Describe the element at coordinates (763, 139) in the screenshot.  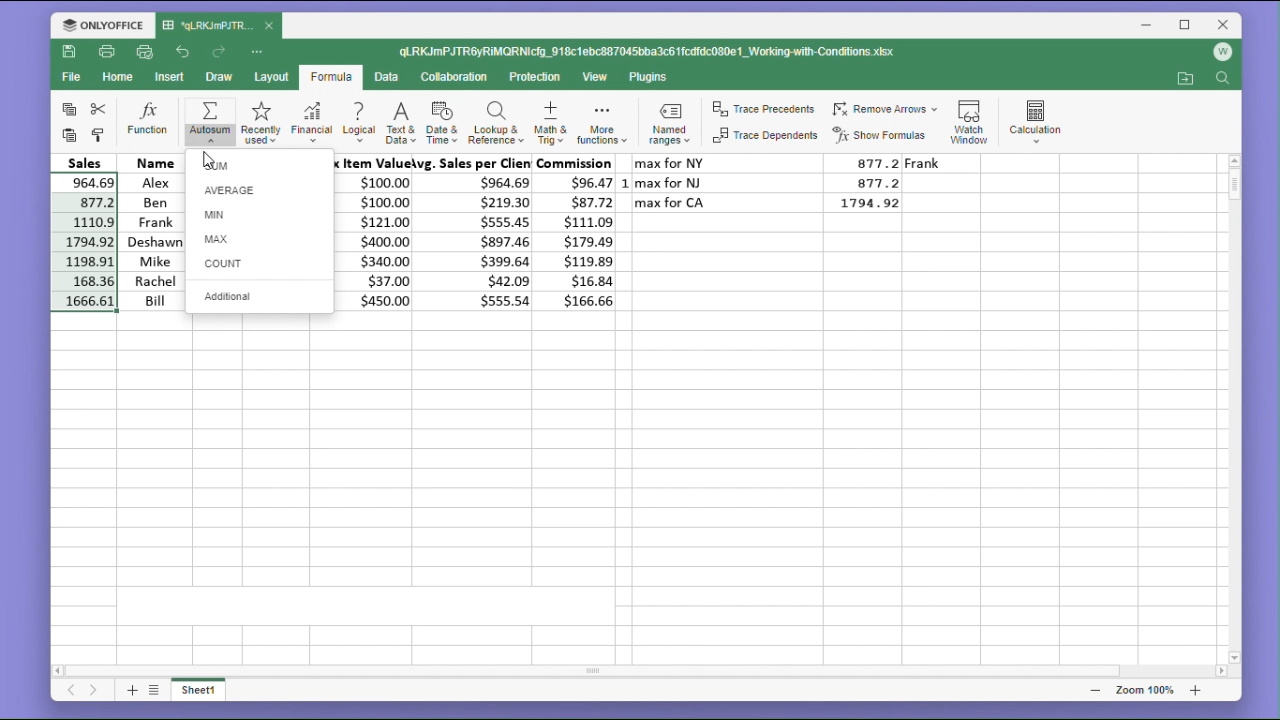
I see `trace dependents` at that location.